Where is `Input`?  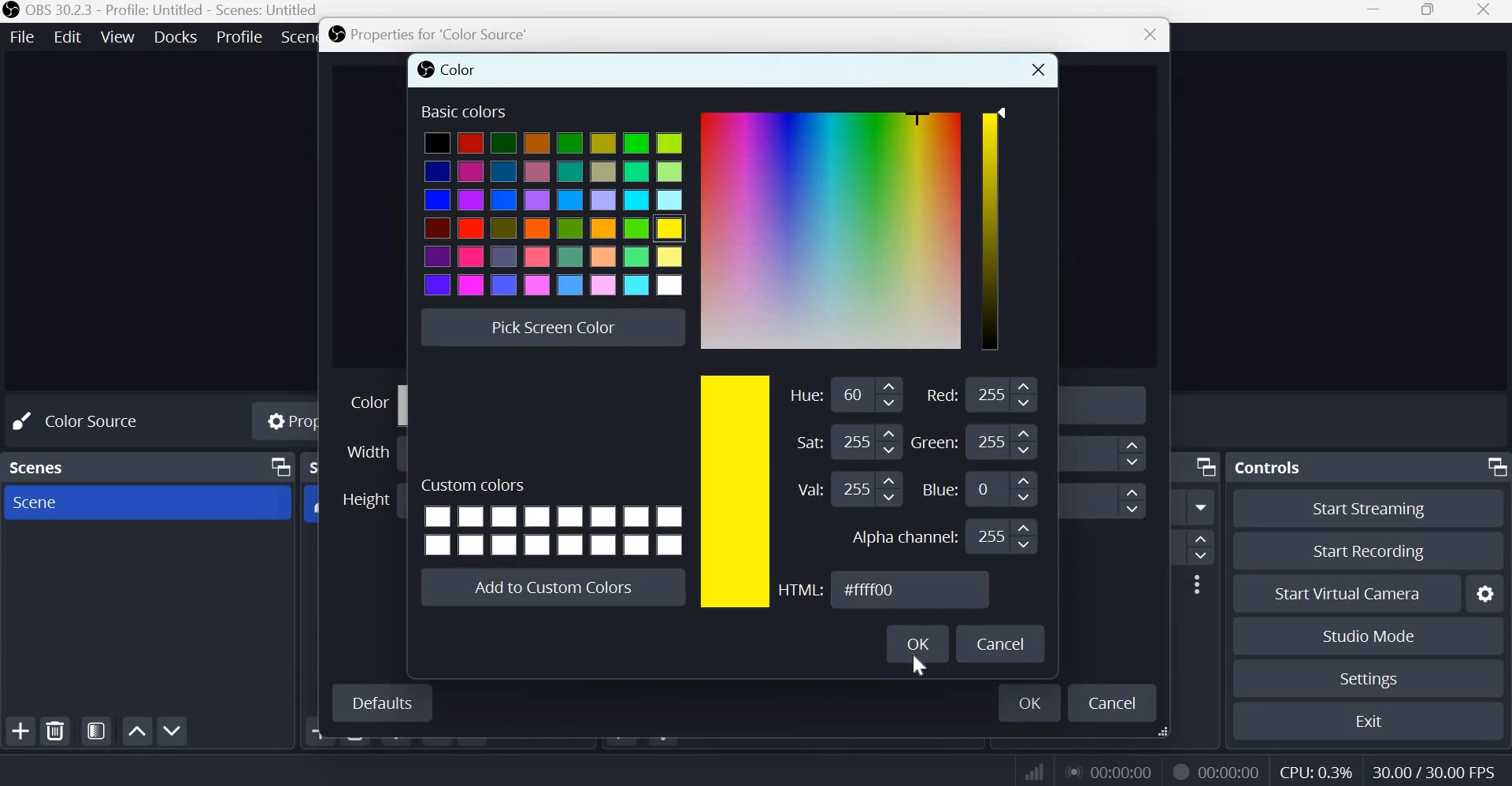 Input is located at coordinates (867, 441).